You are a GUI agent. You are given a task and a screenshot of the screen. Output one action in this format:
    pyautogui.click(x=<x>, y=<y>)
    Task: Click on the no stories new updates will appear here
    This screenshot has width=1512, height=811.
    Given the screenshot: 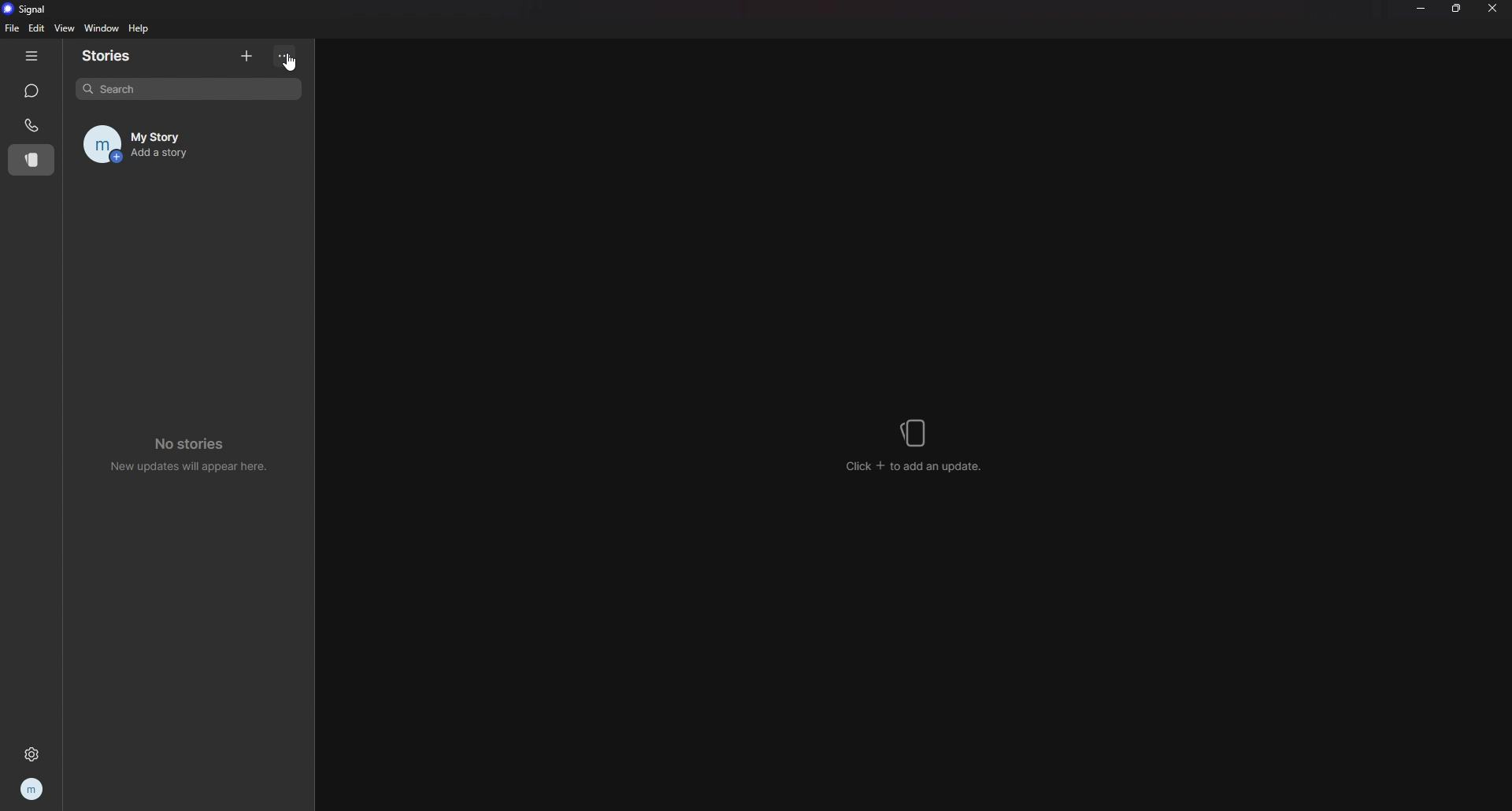 What is the action you would take?
    pyautogui.click(x=191, y=453)
    